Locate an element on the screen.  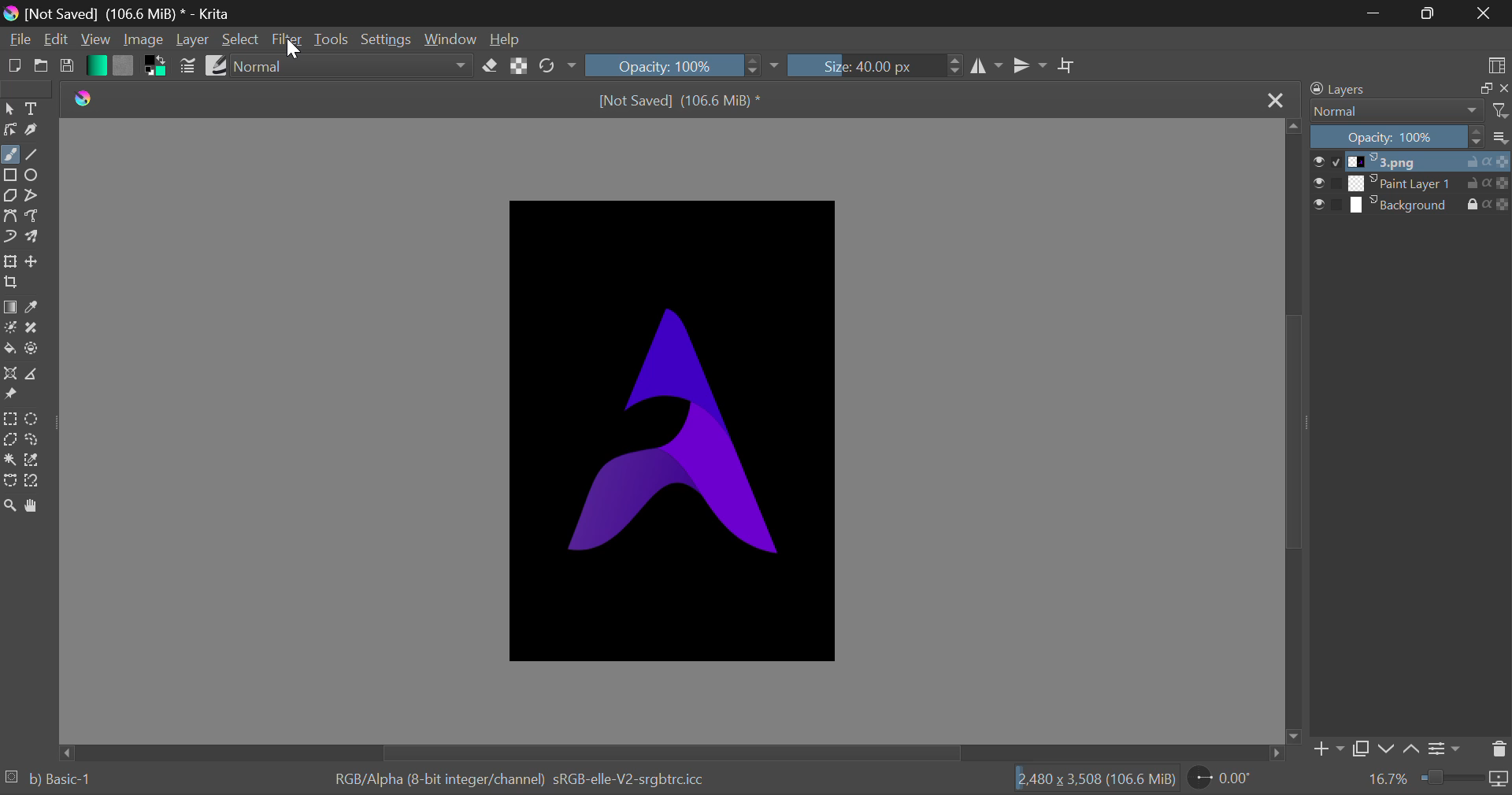
Close is located at coordinates (1276, 98).